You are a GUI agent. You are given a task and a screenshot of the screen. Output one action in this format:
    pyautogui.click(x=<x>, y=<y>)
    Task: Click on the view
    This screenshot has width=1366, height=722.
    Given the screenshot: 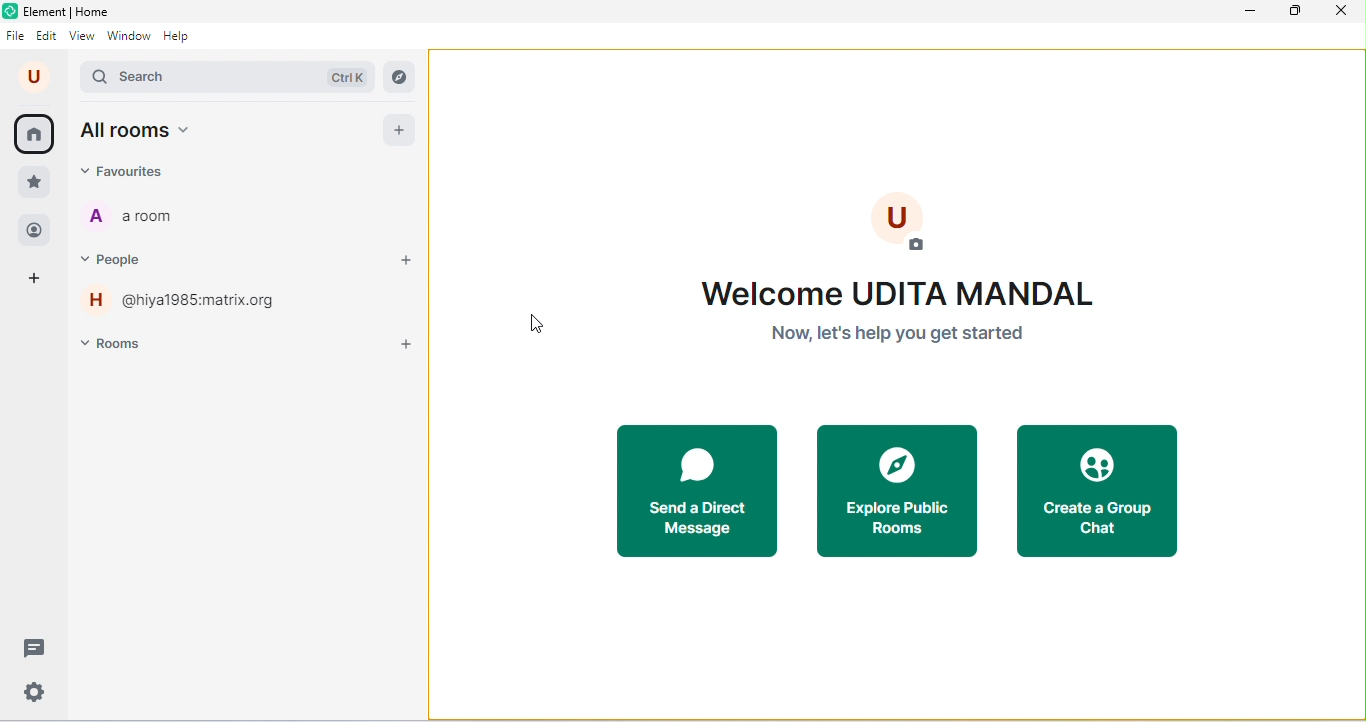 What is the action you would take?
    pyautogui.click(x=82, y=36)
    